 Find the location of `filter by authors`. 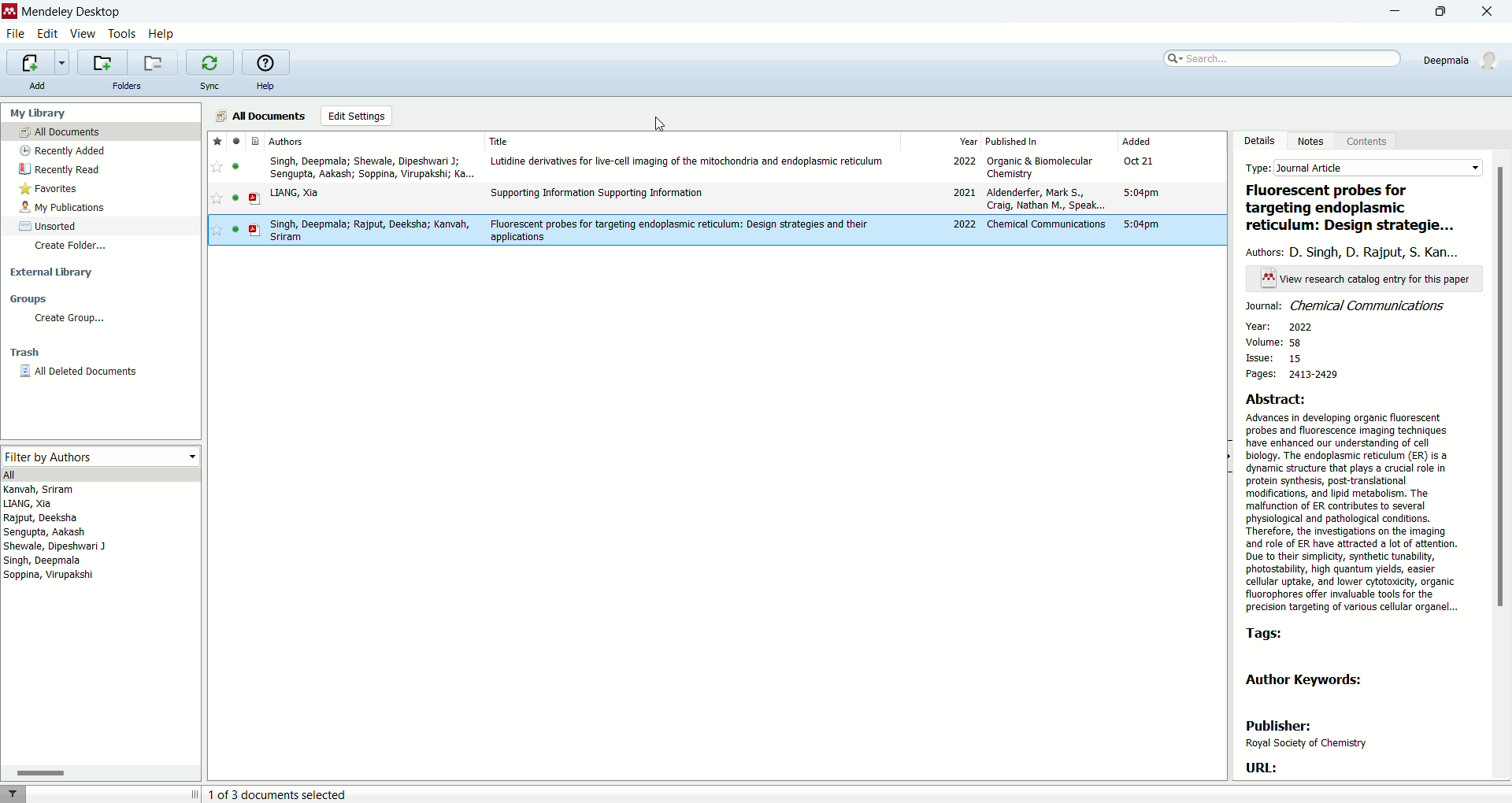

filter by authors is located at coordinates (98, 454).